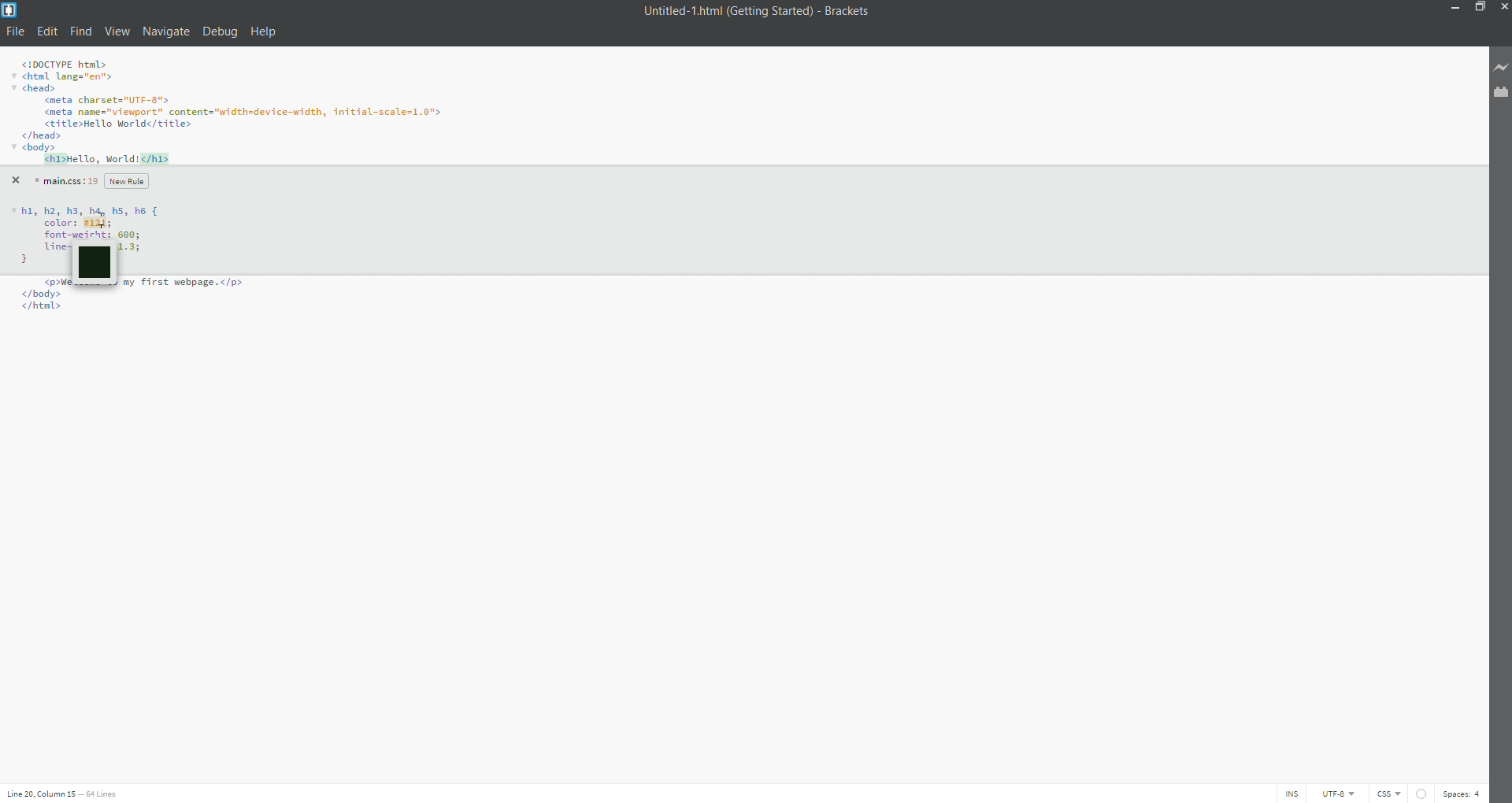 The image size is (1512, 803). I want to click on file type, so click(1385, 794).